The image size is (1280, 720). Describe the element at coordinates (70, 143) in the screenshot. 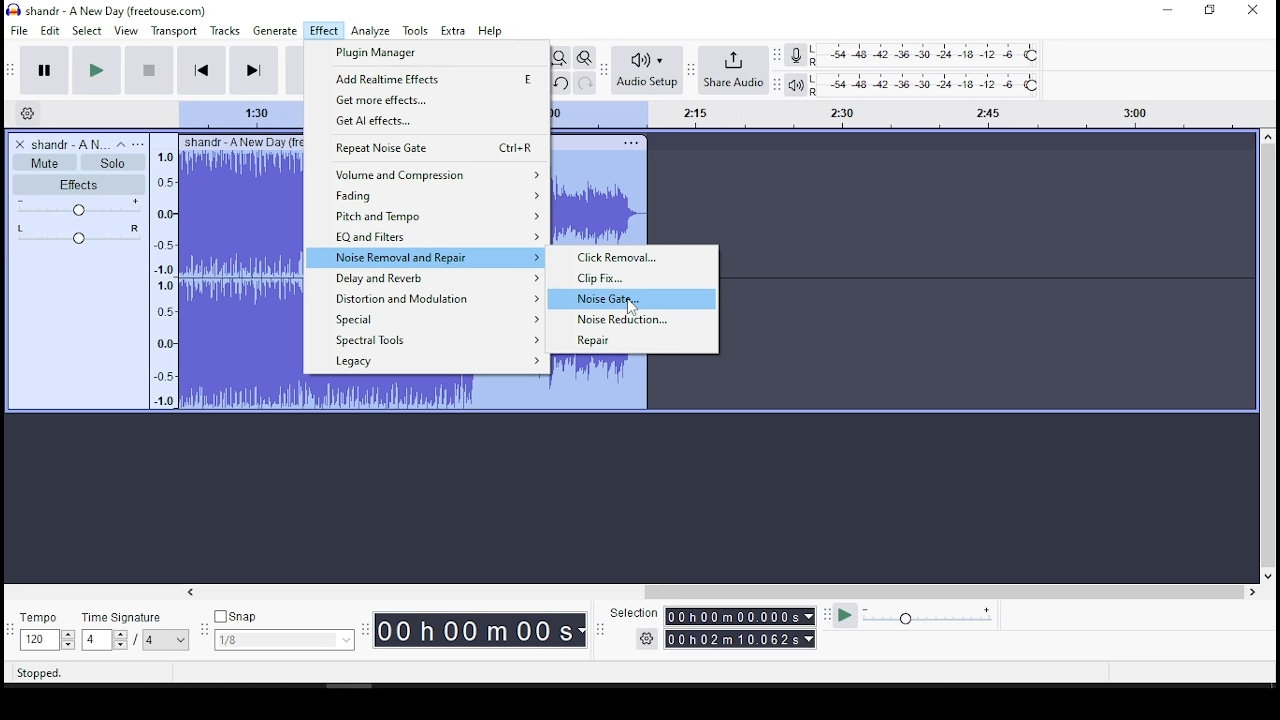

I see `audio name` at that location.